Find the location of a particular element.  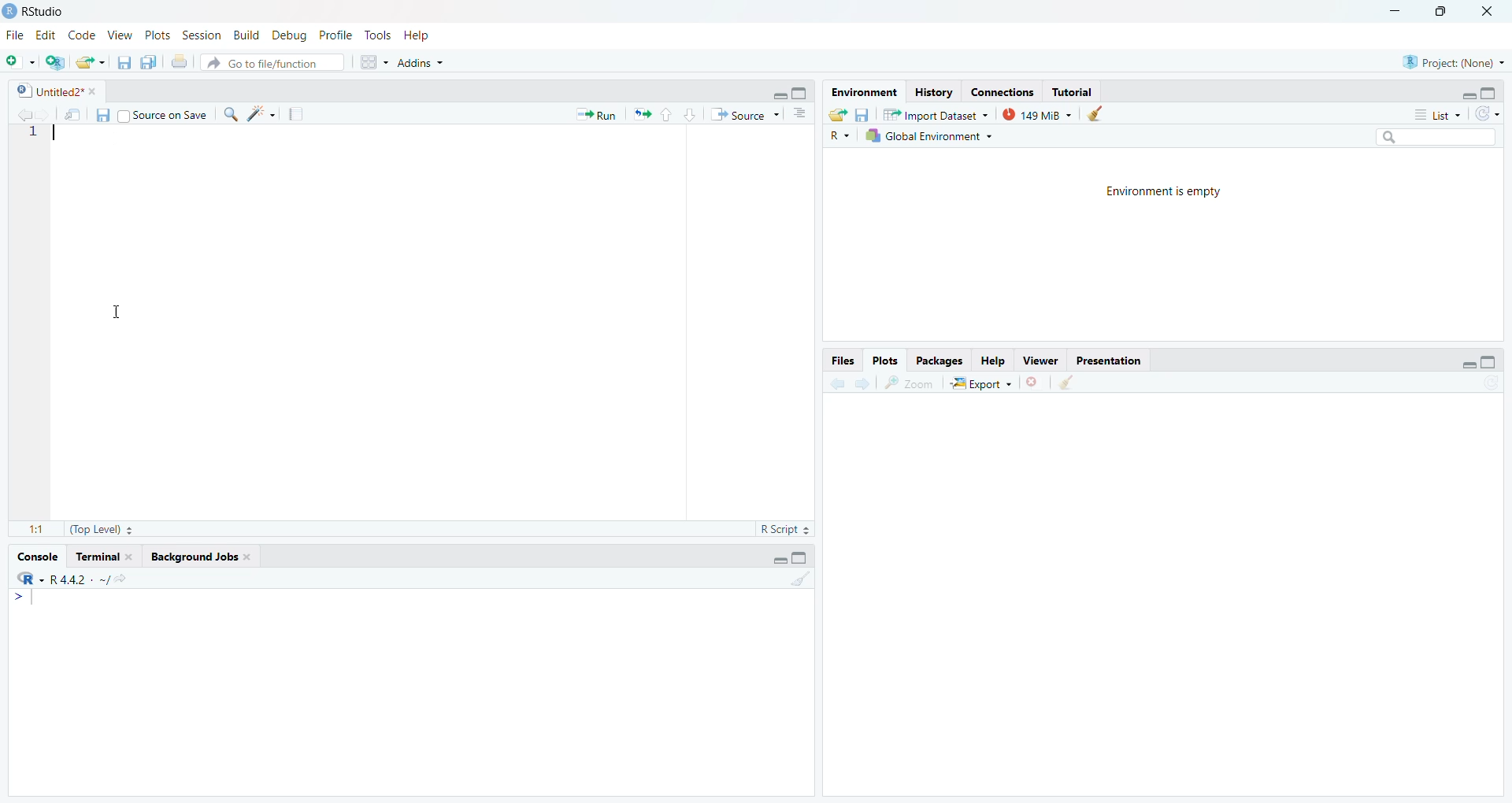

Presentation is located at coordinates (1108, 359).